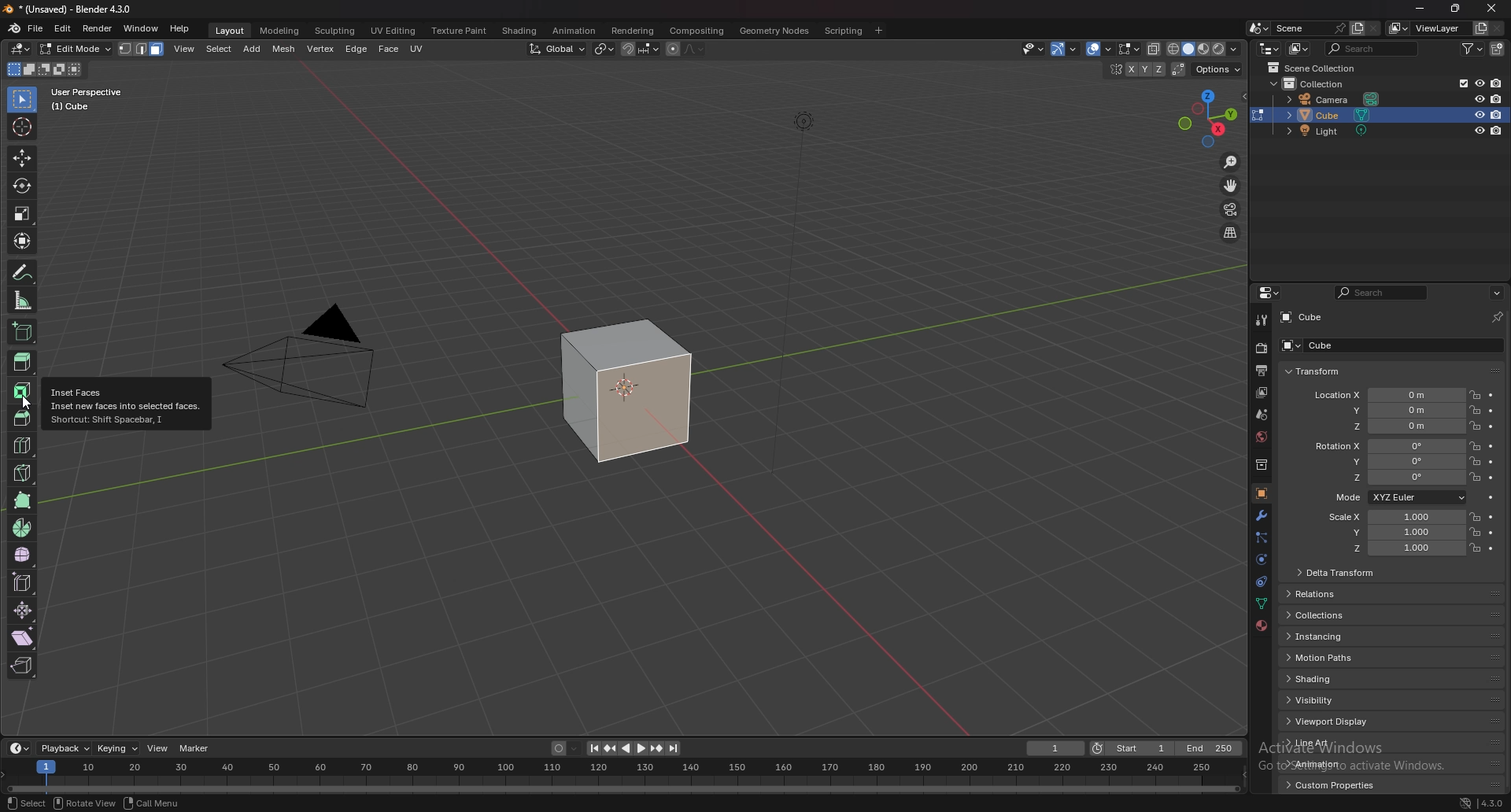 The image size is (1511, 812). I want to click on scale y, so click(1392, 533).